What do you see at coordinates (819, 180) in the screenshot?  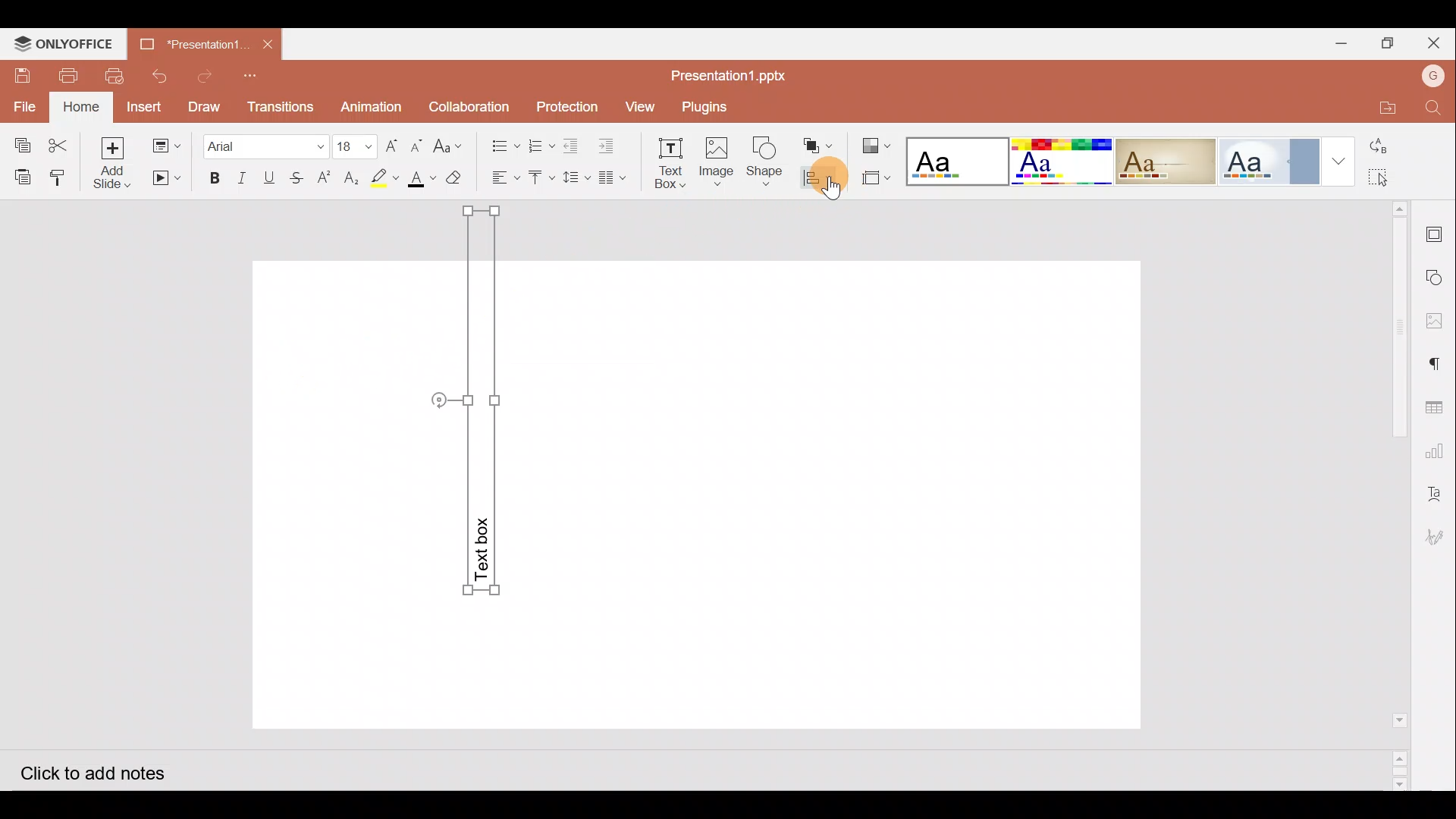 I see `Align shape` at bounding box center [819, 180].